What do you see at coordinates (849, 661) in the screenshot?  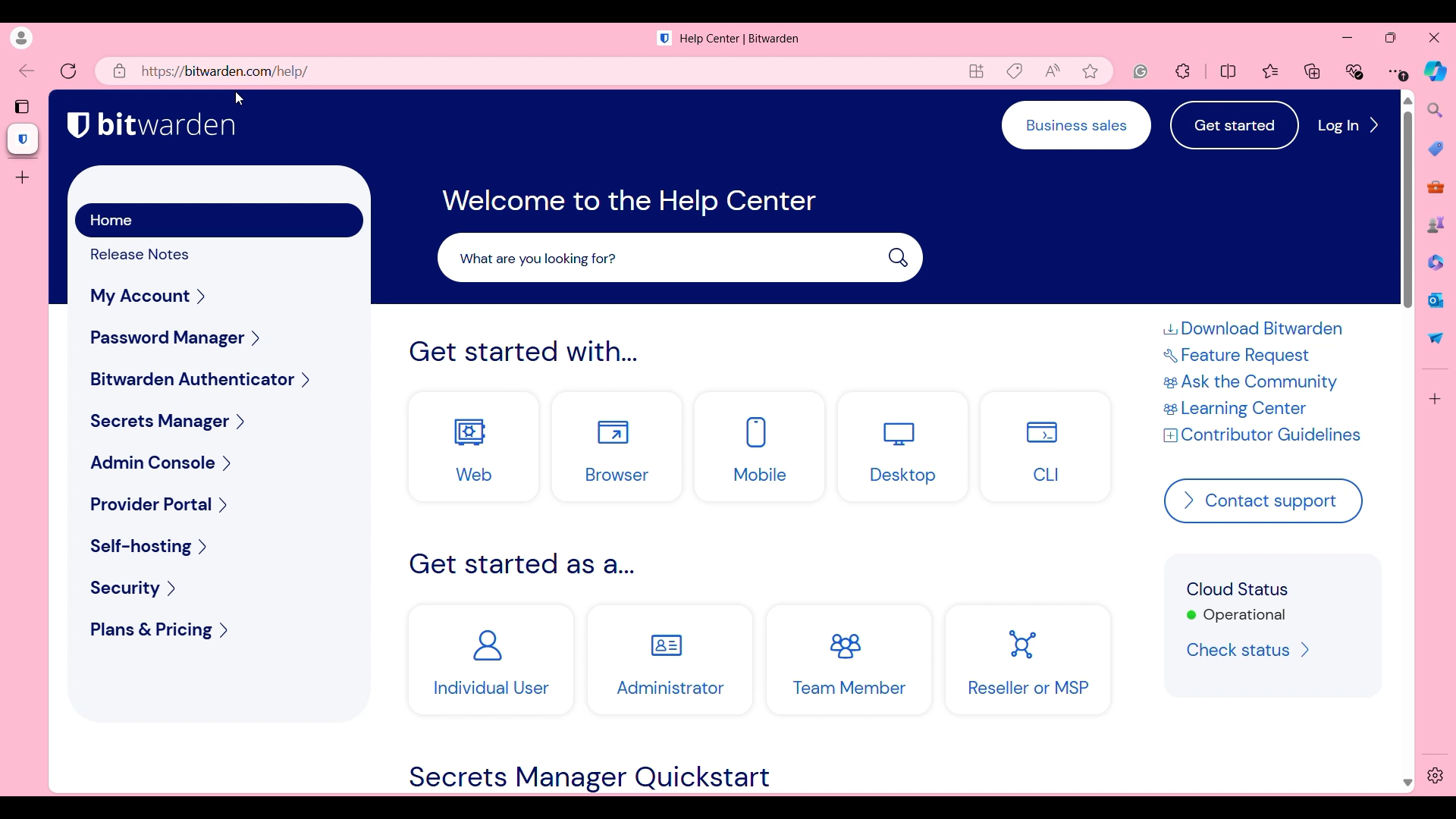 I see `Team Member` at bounding box center [849, 661].